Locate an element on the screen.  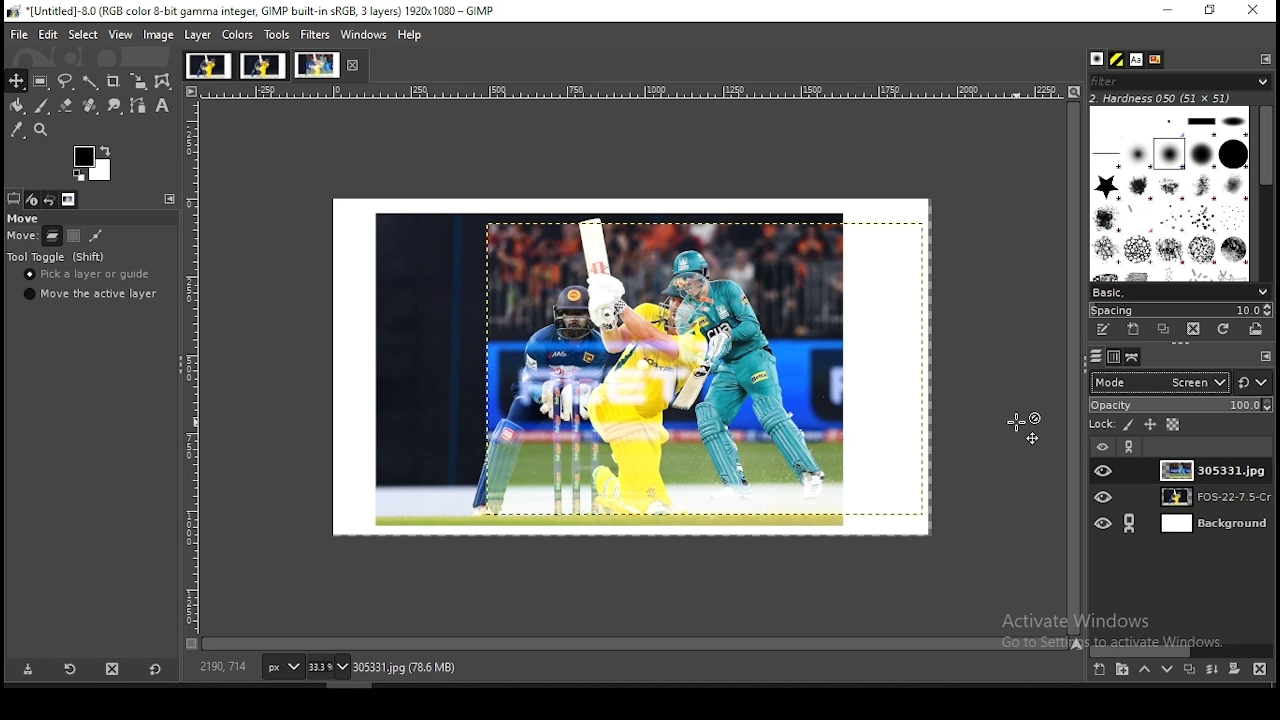
link is located at coordinates (1128, 523).